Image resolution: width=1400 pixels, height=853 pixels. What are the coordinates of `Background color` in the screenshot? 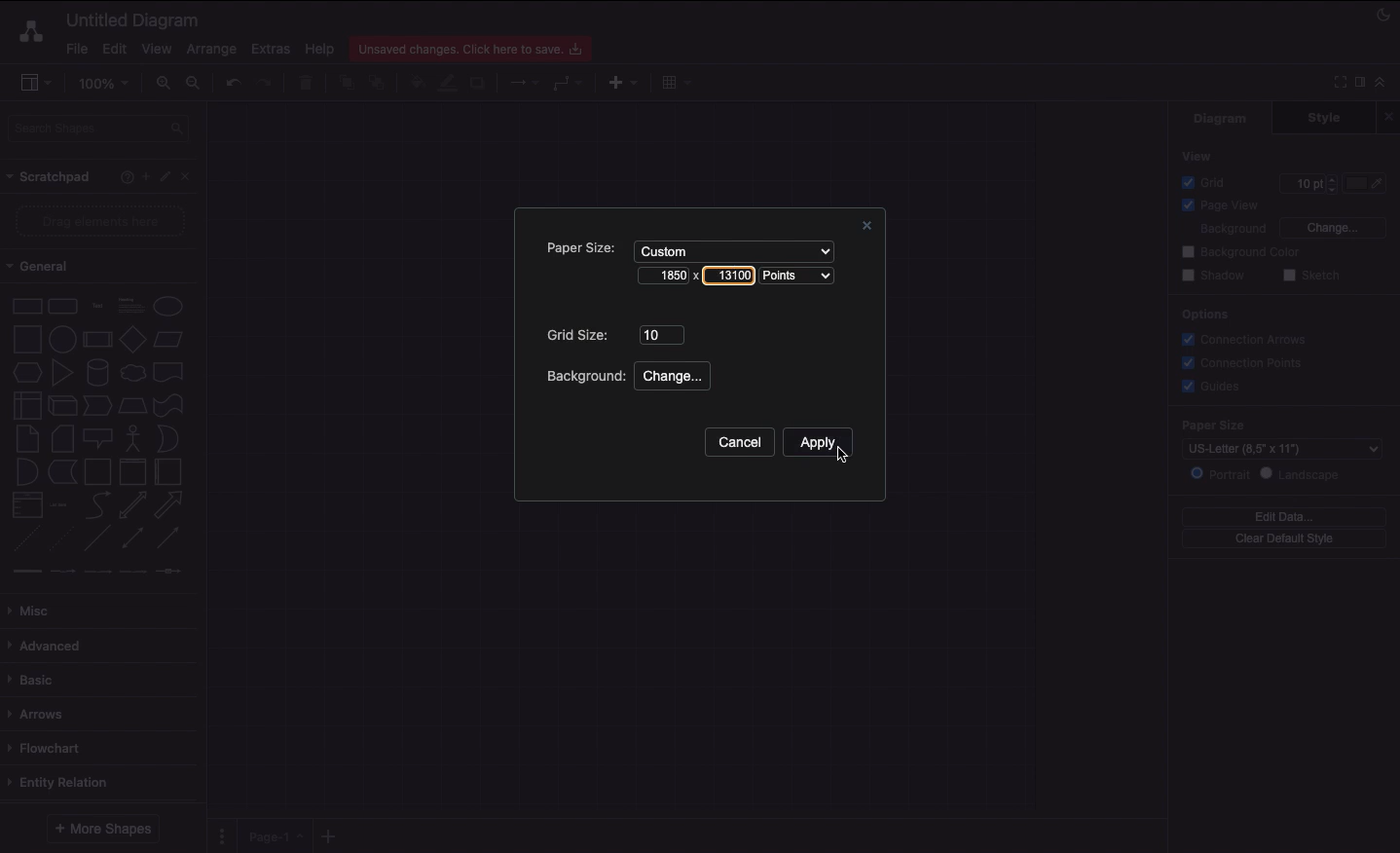 It's located at (1243, 252).